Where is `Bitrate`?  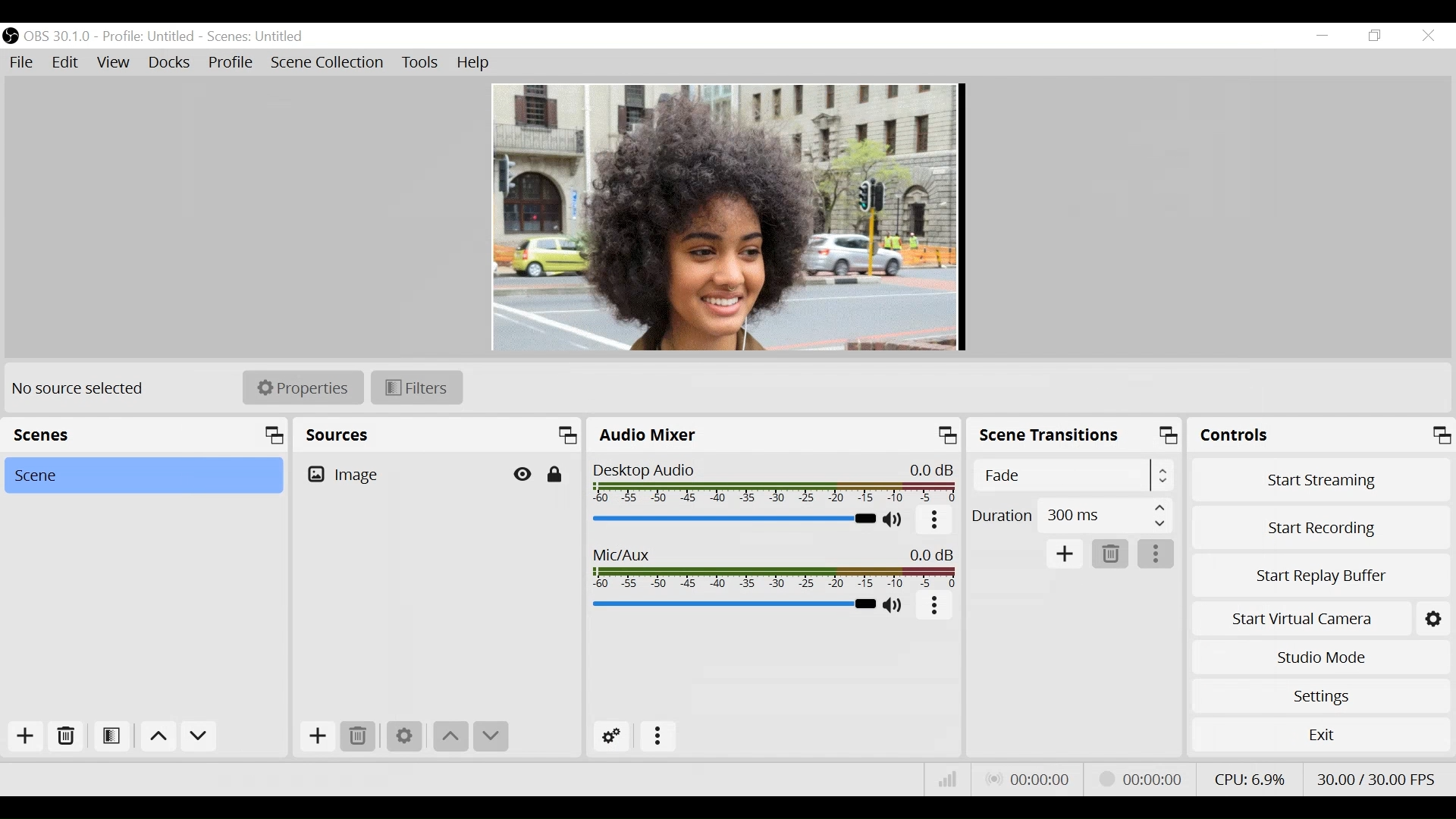
Bitrate is located at coordinates (950, 778).